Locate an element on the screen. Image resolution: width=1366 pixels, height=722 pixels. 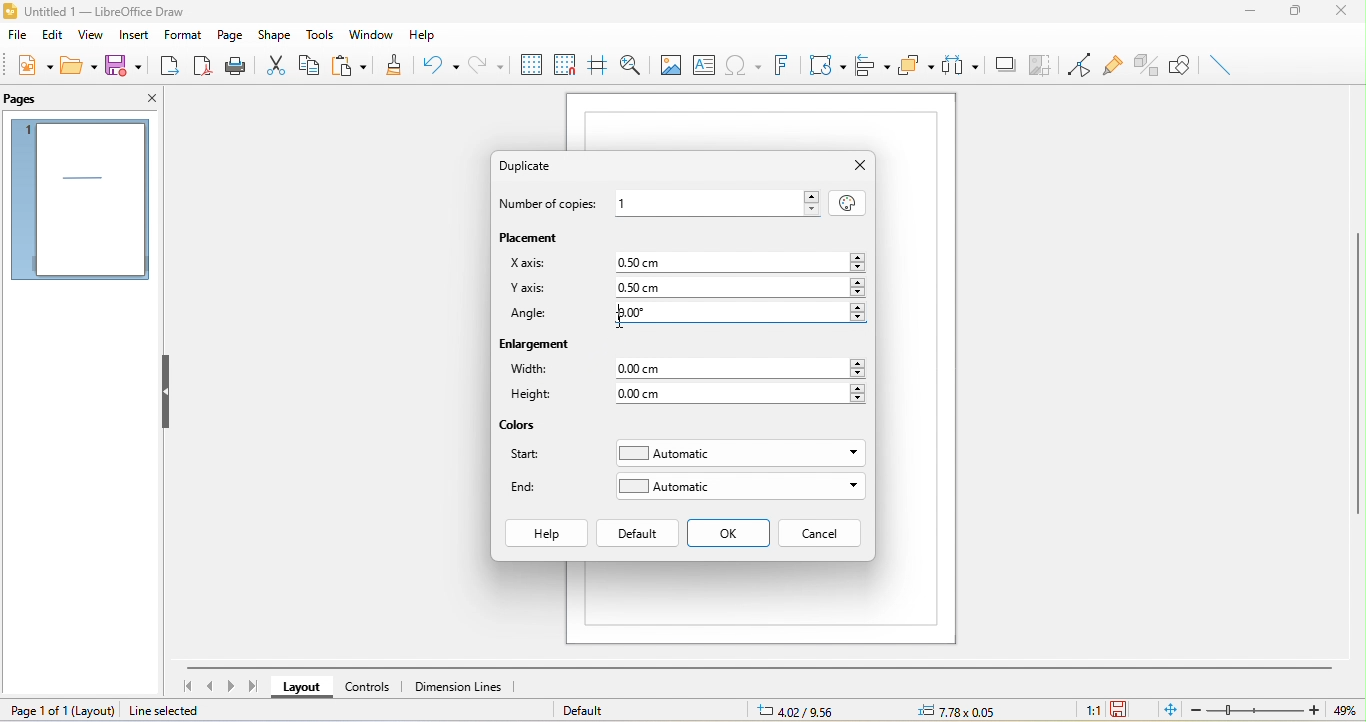
ok is located at coordinates (730, 534).